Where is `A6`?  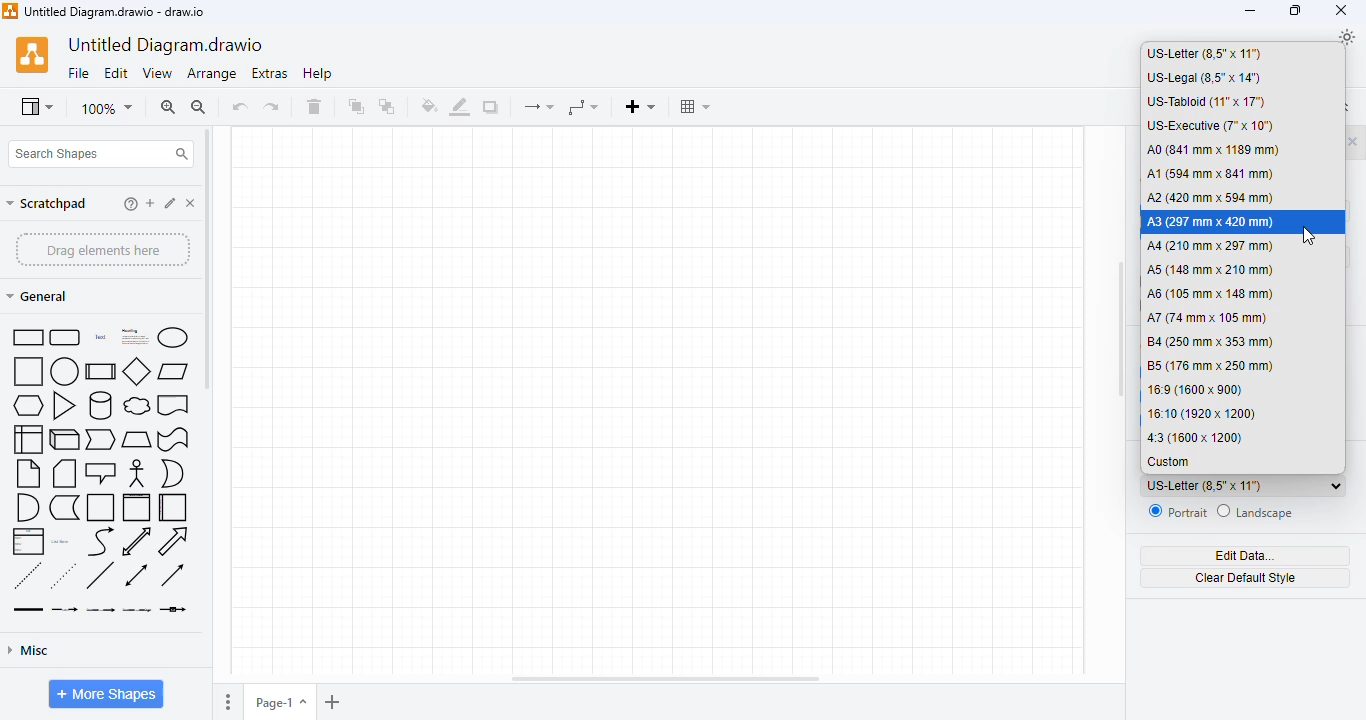 A6 is located at coordinates (1211, 295).